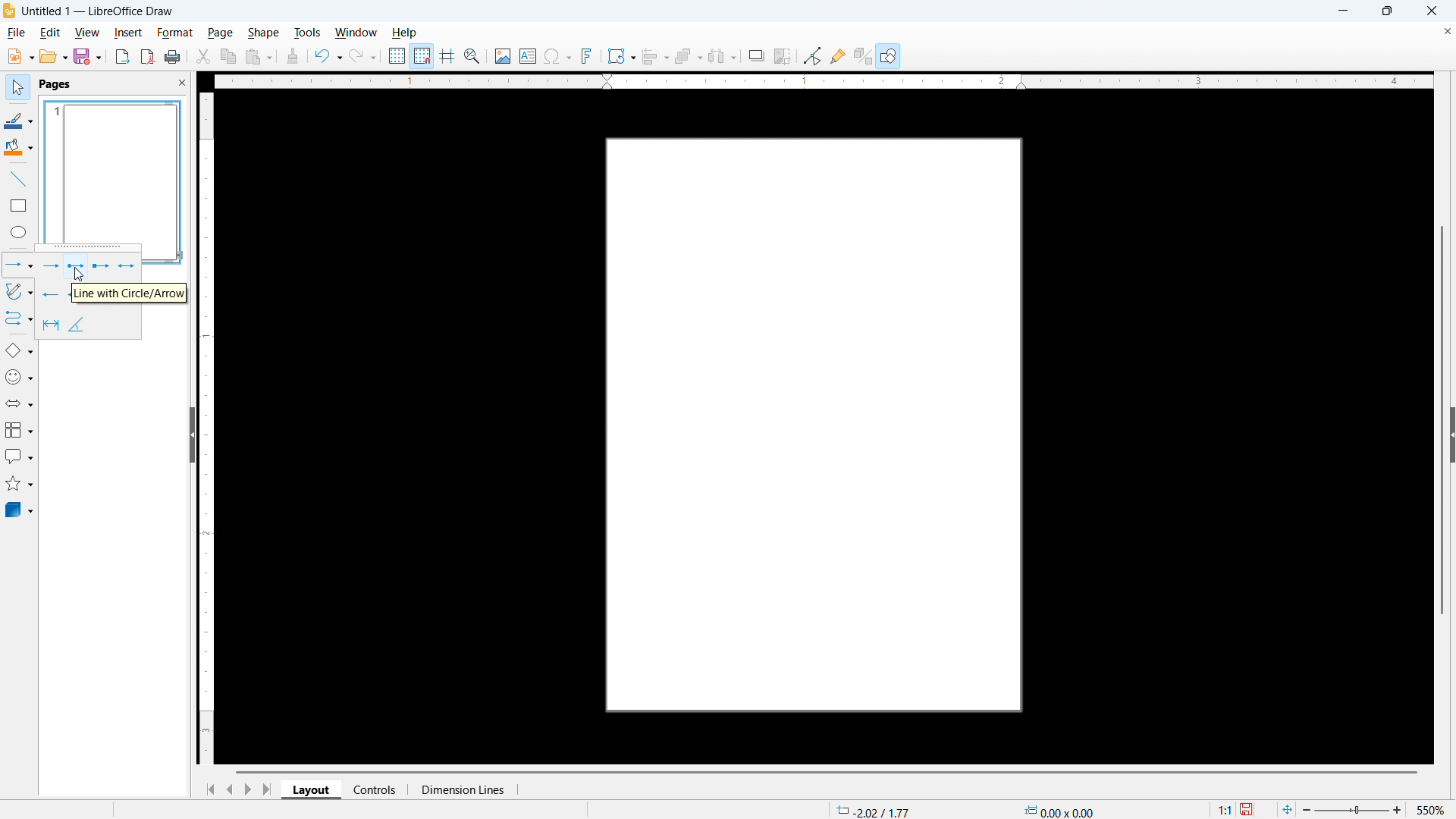 Image resolution: width=1456 pixels, height=819 pixels. Describe the element at coordinates (19, 350) in the screenshot. I see `Basic shapes ` at that location.